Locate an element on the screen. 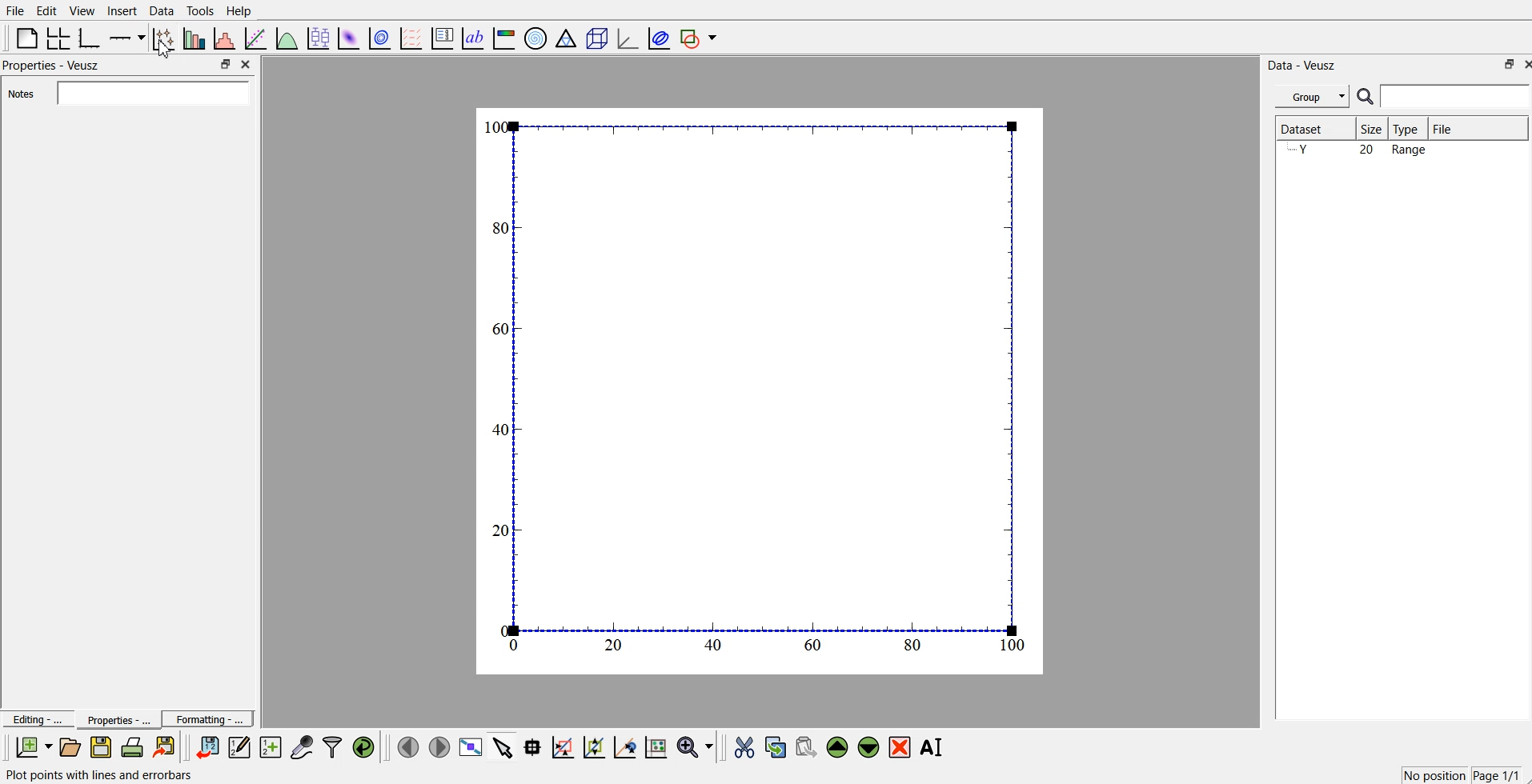 The width and height of the screenshot is (1532, 784). plot bar graphs is located at coordinates (195, 38).